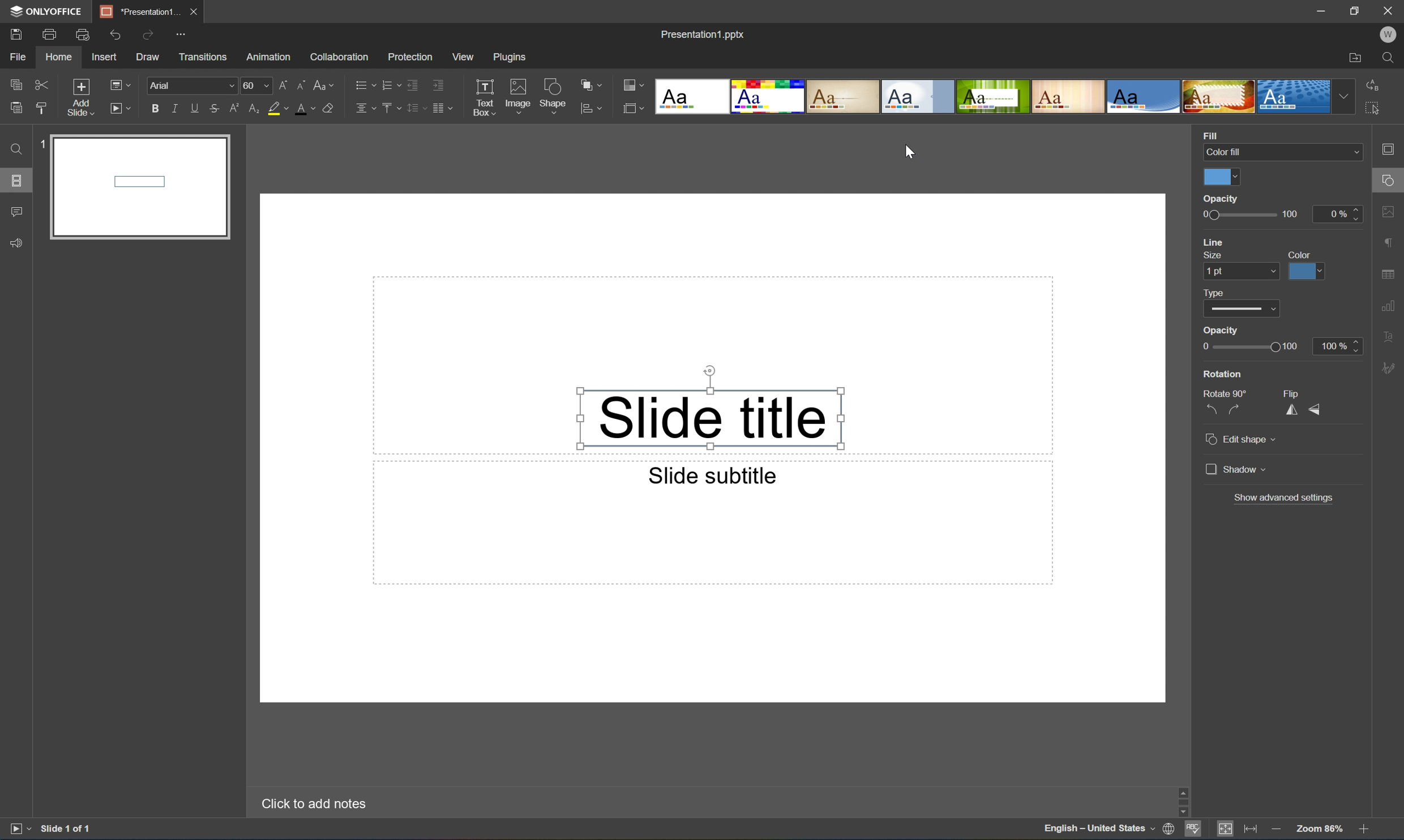 This screenshot has width=1404, height=840. Describe the element at coordinates (362, 84) in the screenshot. I see `Bullets` at that location.